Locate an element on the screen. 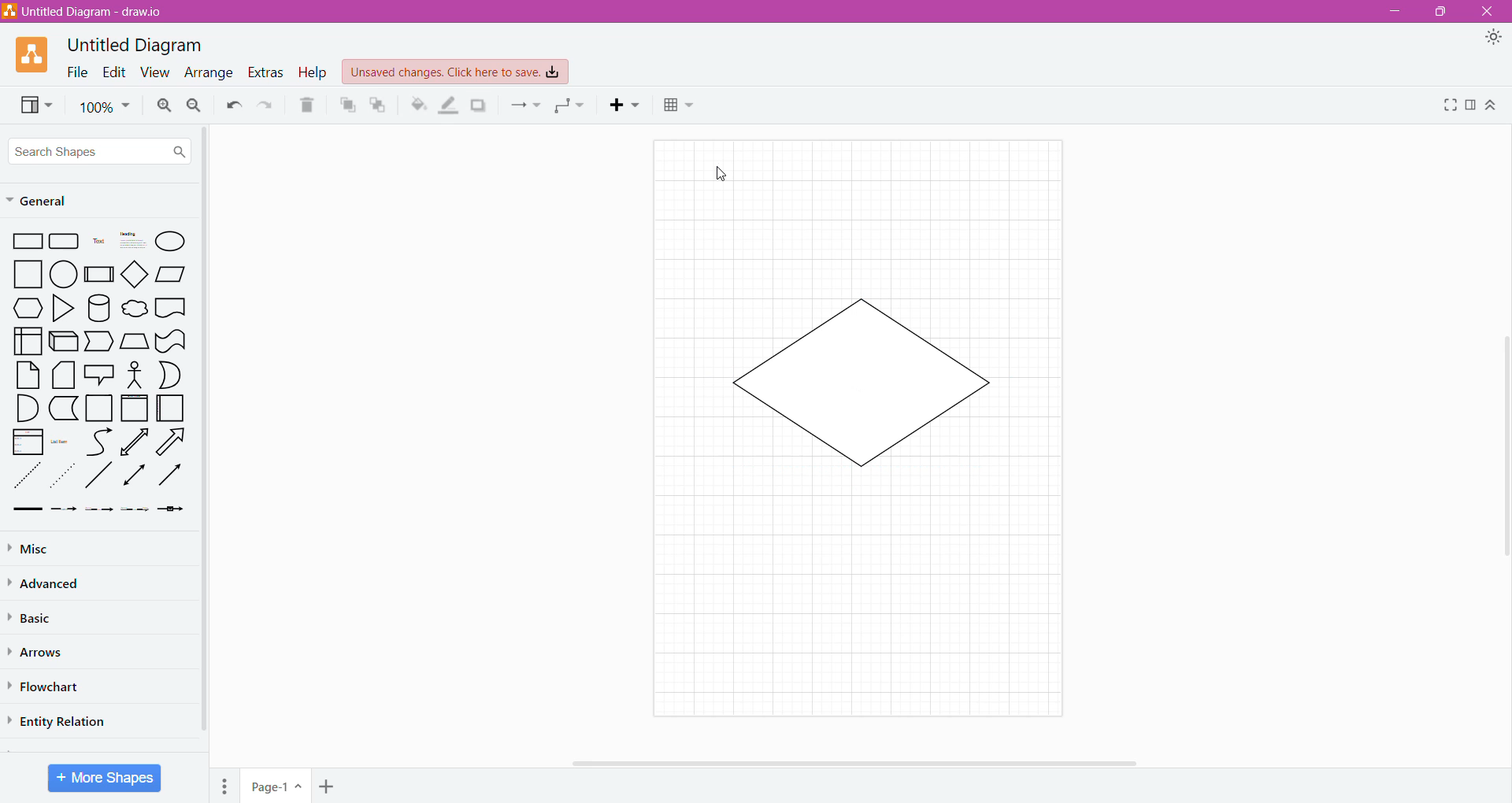 The height and width of the screenshot is (803, 1512). Curves is located at coordinates (99, 442).